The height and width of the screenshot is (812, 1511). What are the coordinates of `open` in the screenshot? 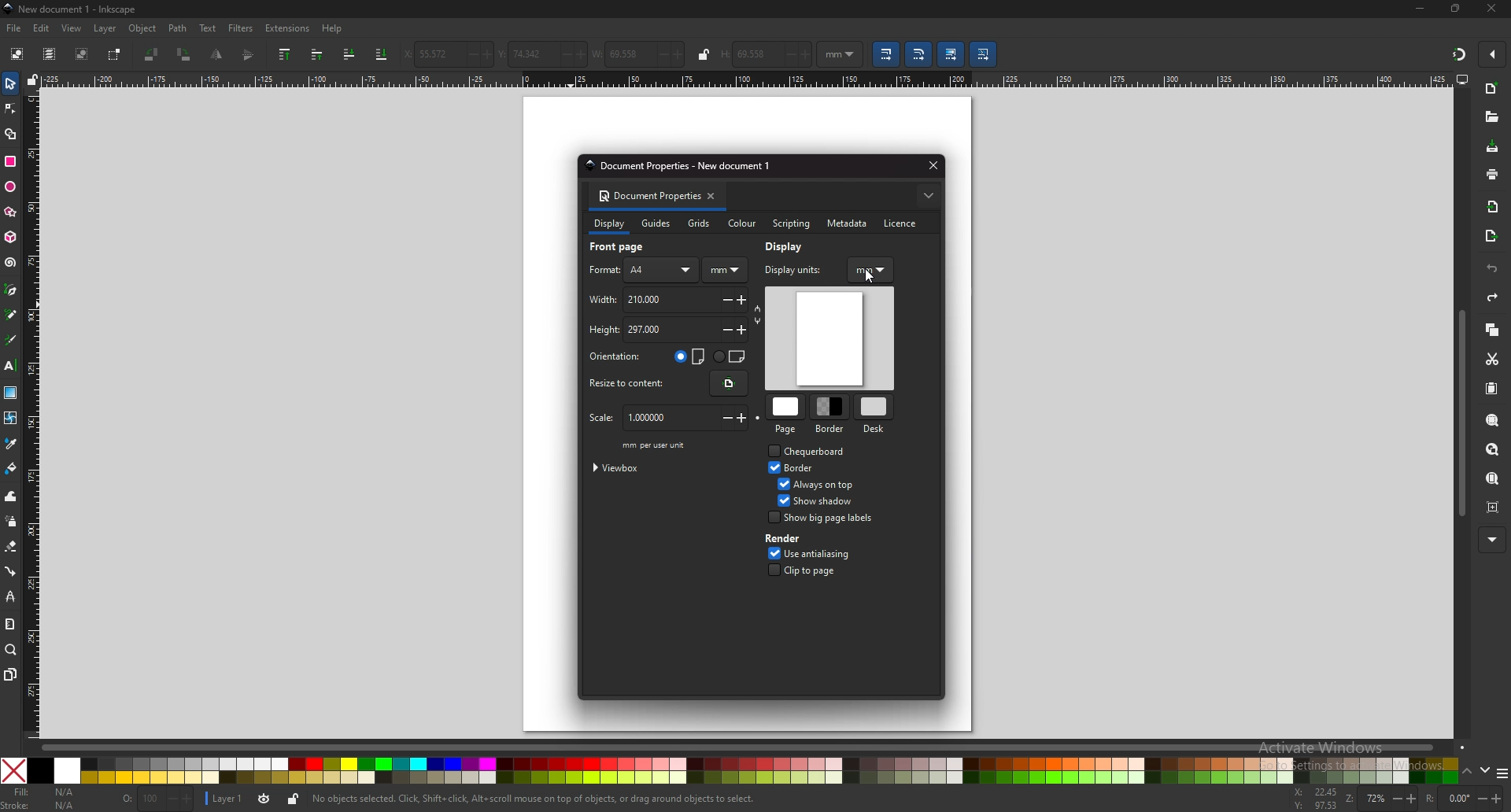 It's located at (1492, 116).